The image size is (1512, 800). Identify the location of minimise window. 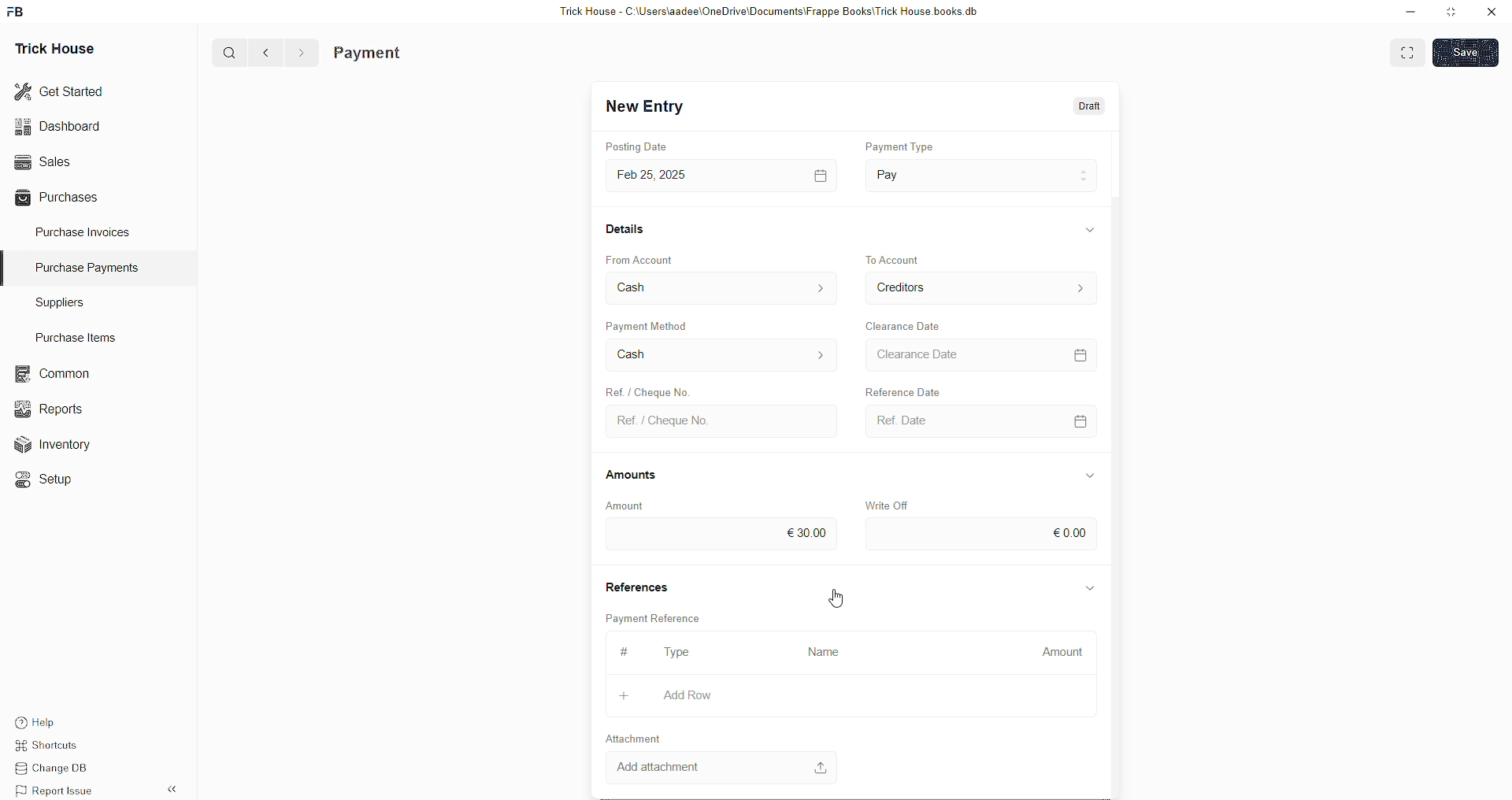
(1450, 13).